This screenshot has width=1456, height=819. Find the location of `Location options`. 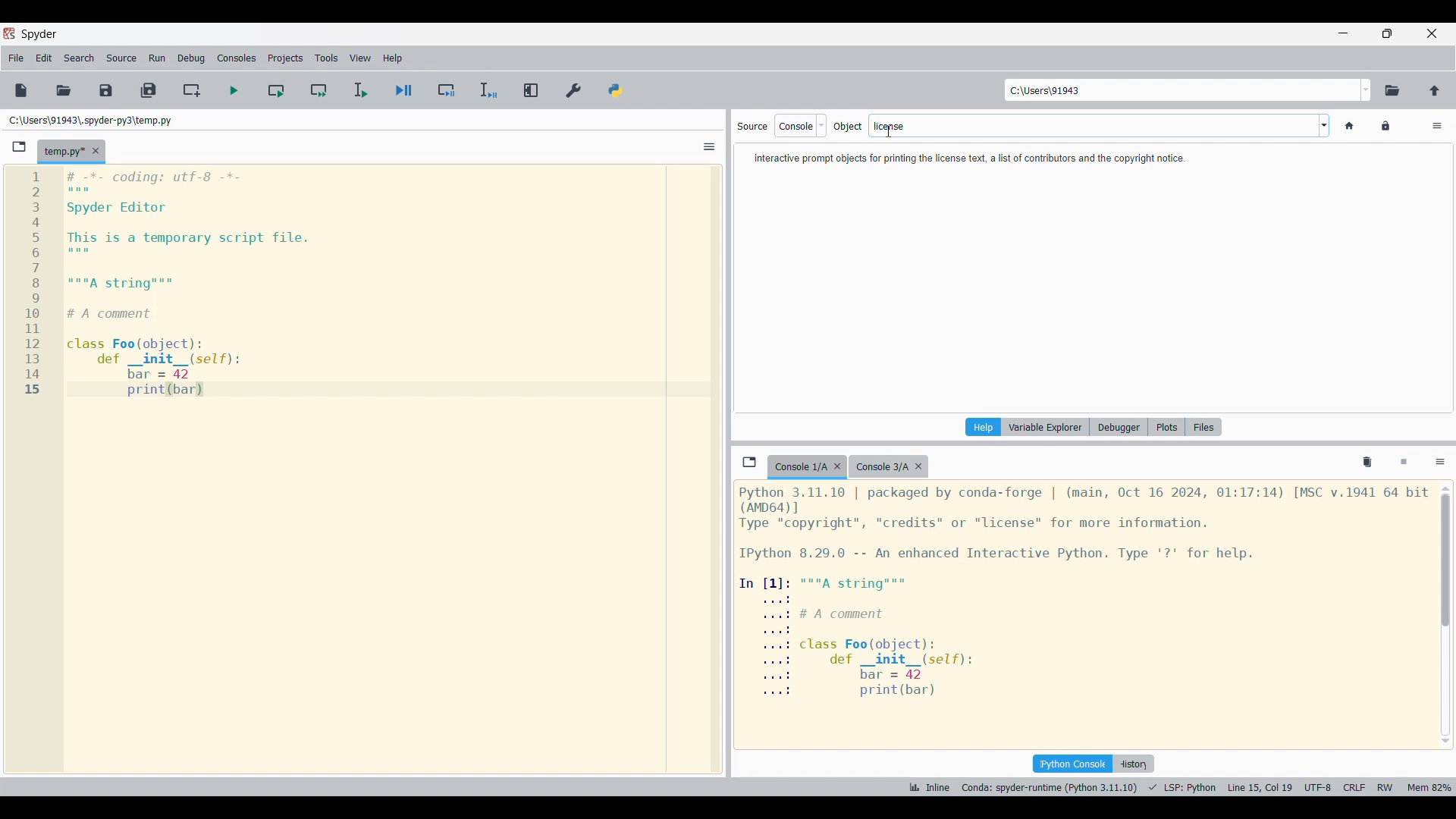

Location options is located at coordinates (1367, 90).